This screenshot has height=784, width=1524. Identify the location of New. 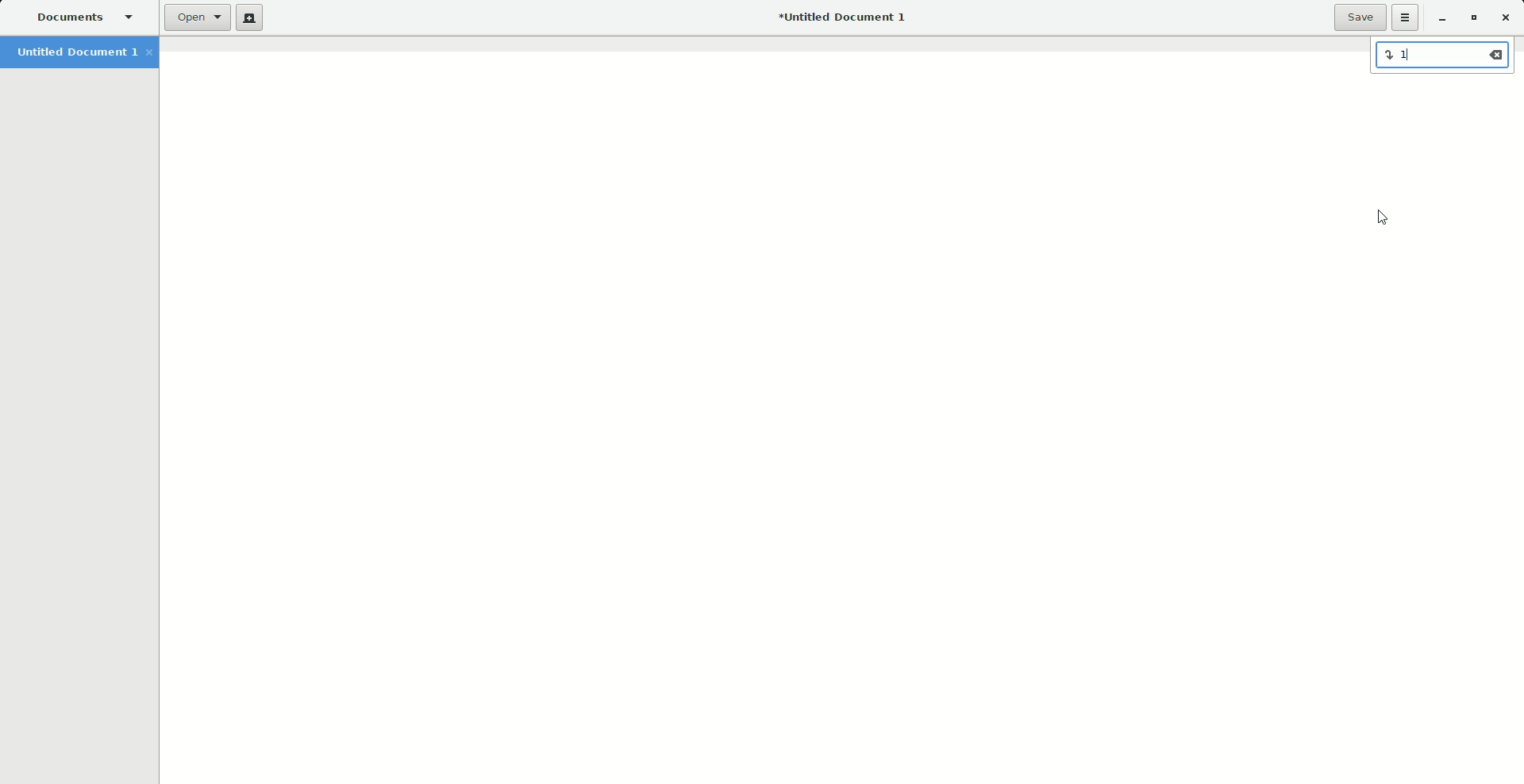
(252, 19).